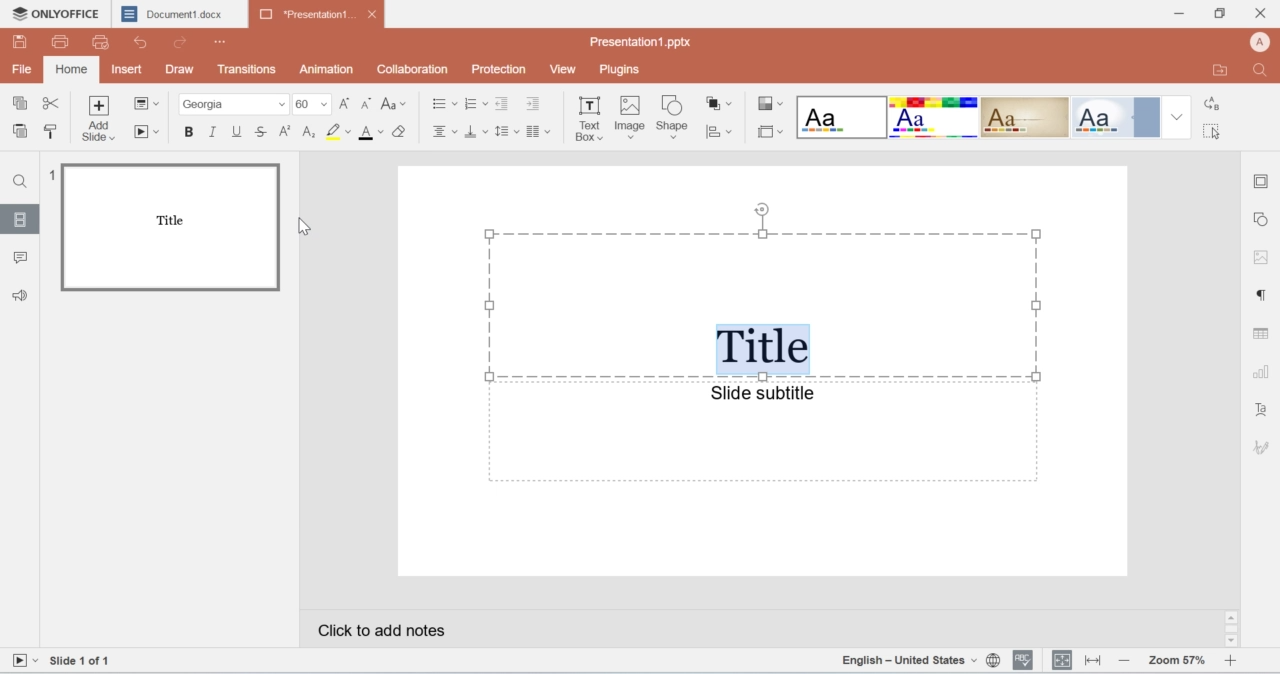 The width and height of the screenshot is (1280, 674). I want to click on Cursor, so click(311, 228).